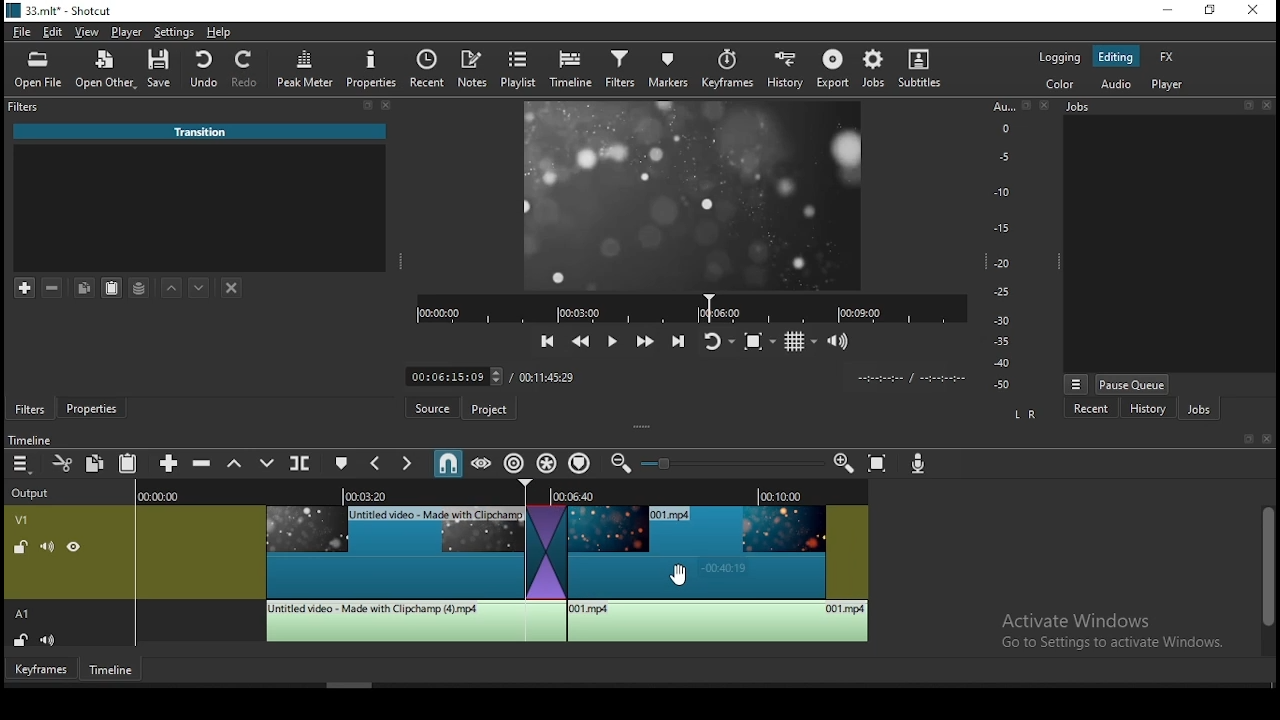 Image resolution: width=1280 pixels, height=720 pixels. Describe the element at coordinates (33, 436) in the screenshot. I see `timeline` at that location.